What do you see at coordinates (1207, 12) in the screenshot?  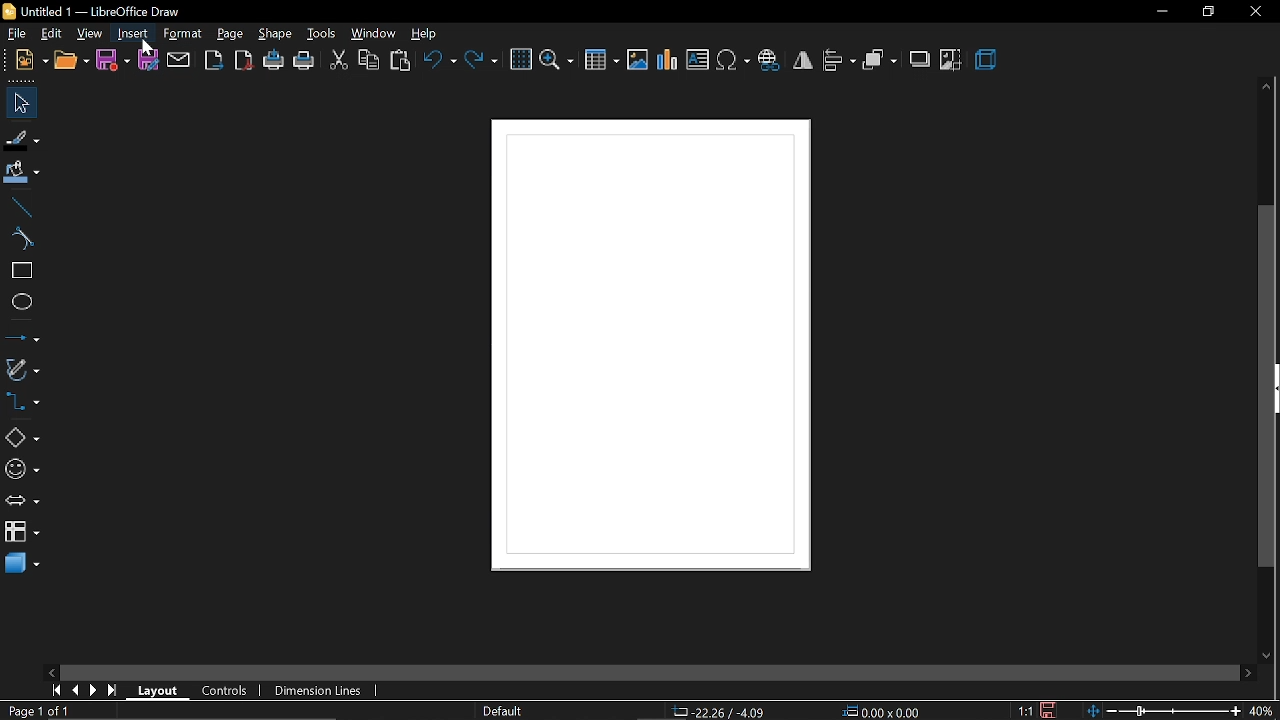 I see `restore down` at bounding box center [1207, 12].